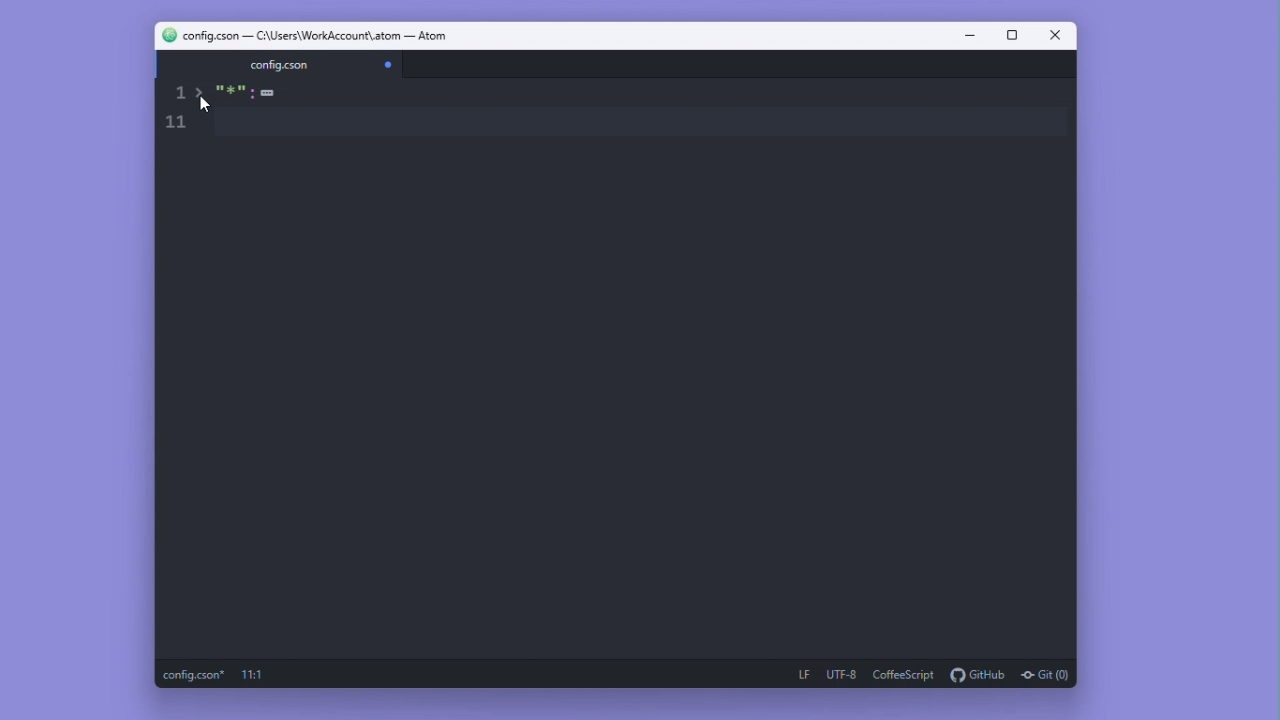  Describe the element at coordinates (263, 674) in the screenshot. I see `11:1` at that location.